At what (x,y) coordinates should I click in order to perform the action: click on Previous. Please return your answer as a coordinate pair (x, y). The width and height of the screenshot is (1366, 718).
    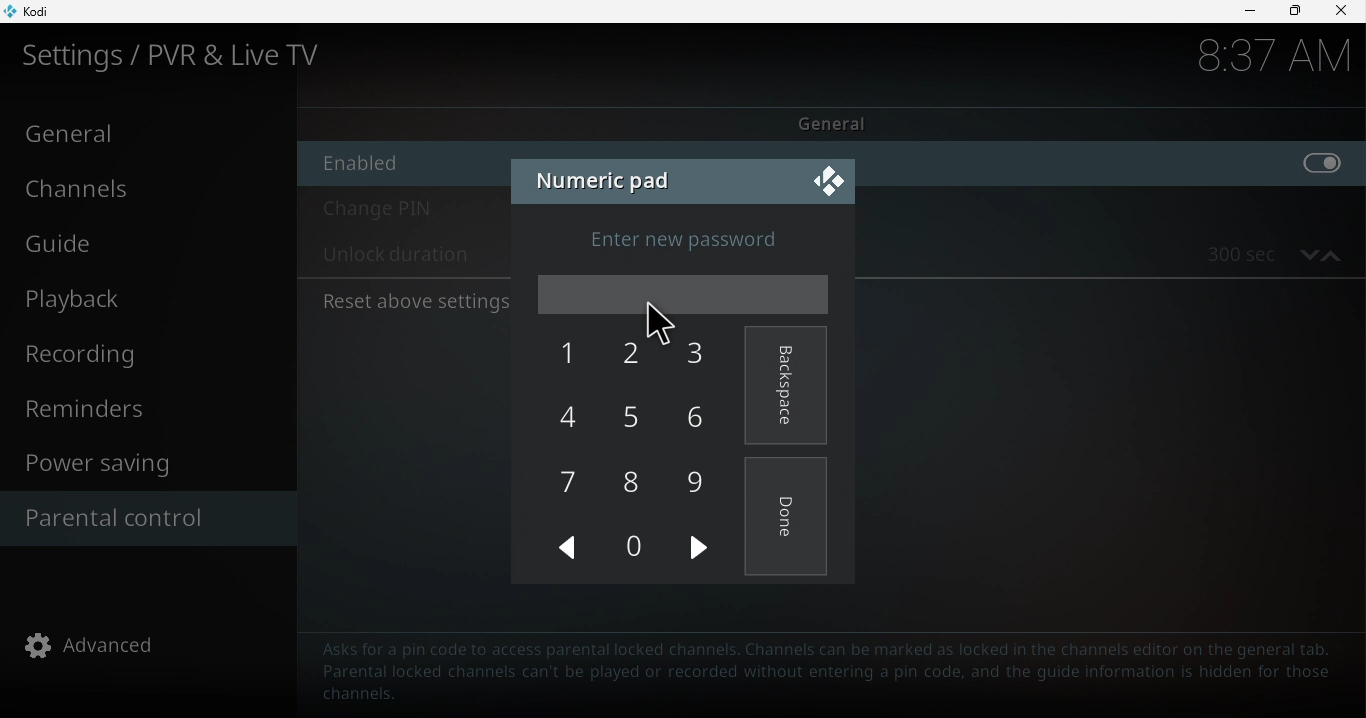
    Looking at the image, I should click on (565, 548).